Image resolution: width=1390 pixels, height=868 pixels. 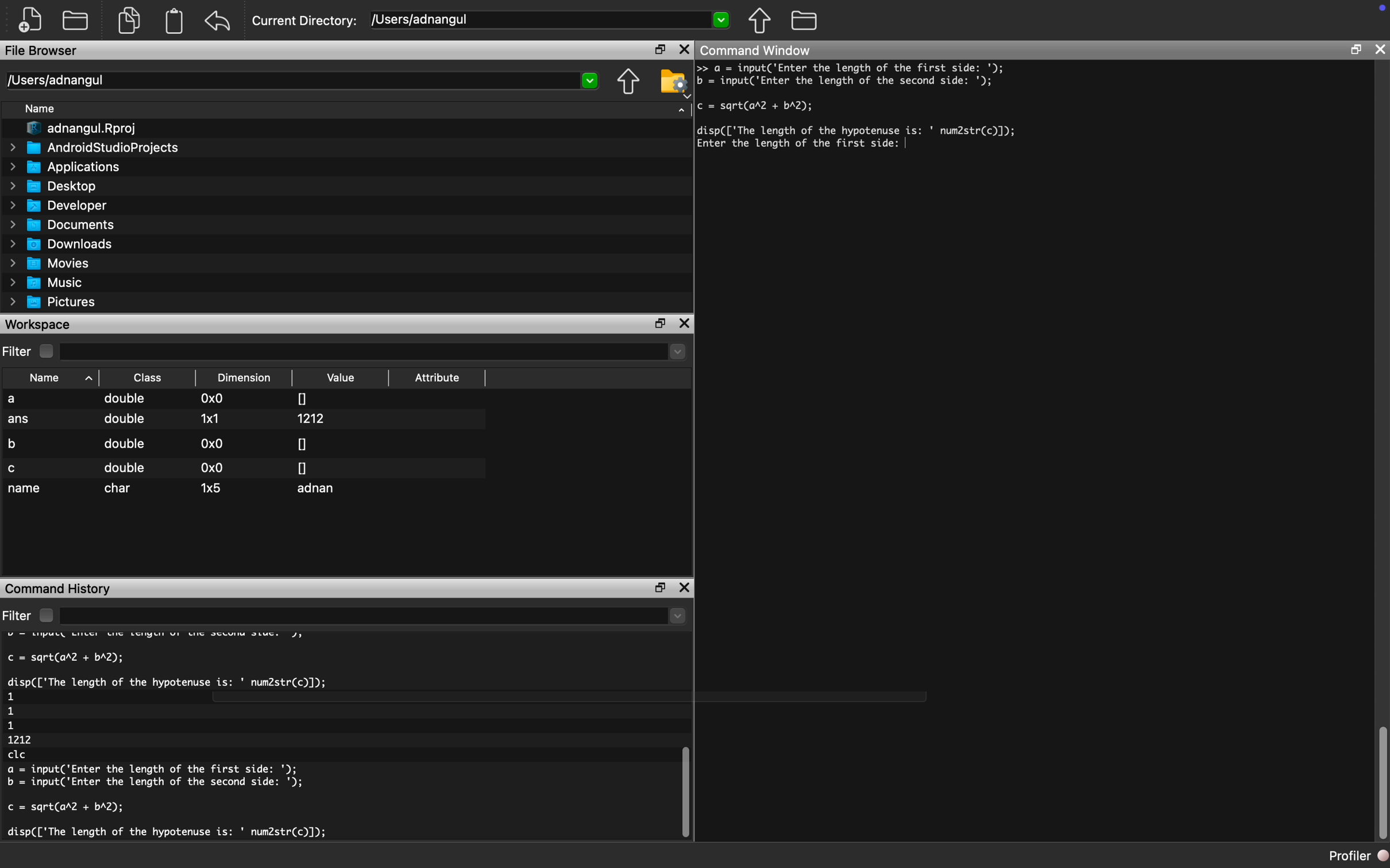 I want to click on double, so click(x=123, y=423).